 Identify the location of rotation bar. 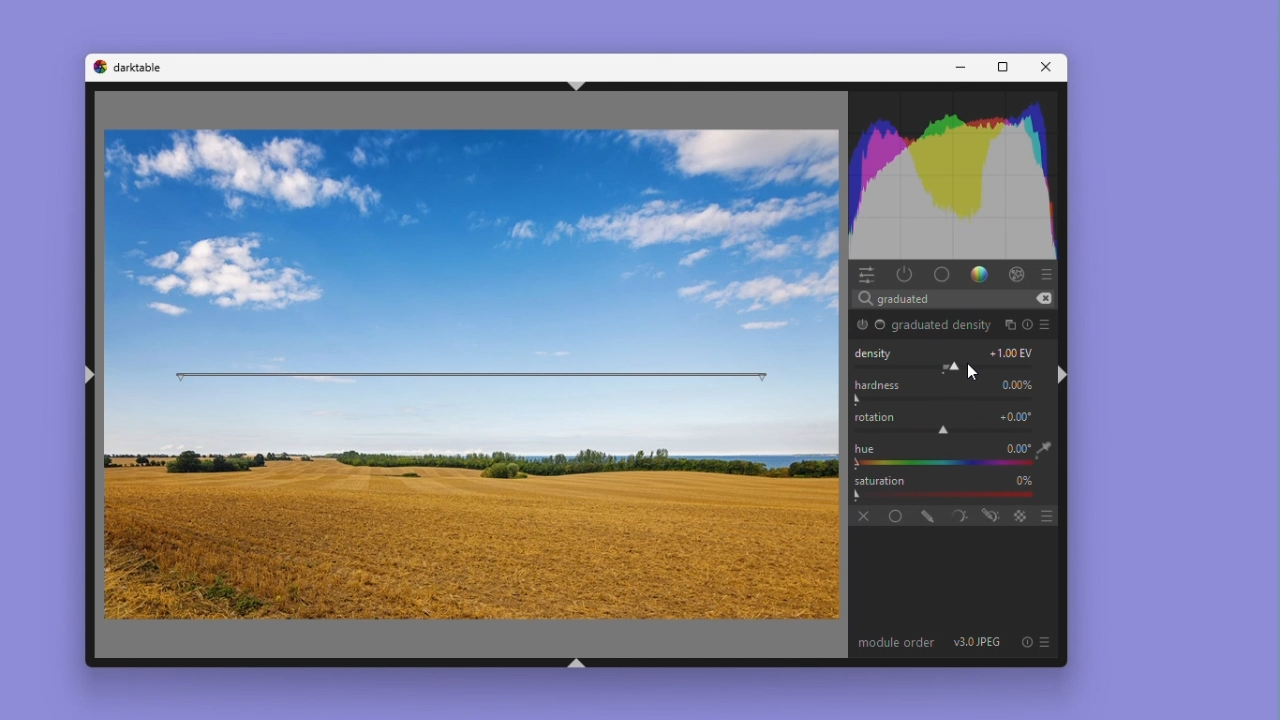
(475, 372).